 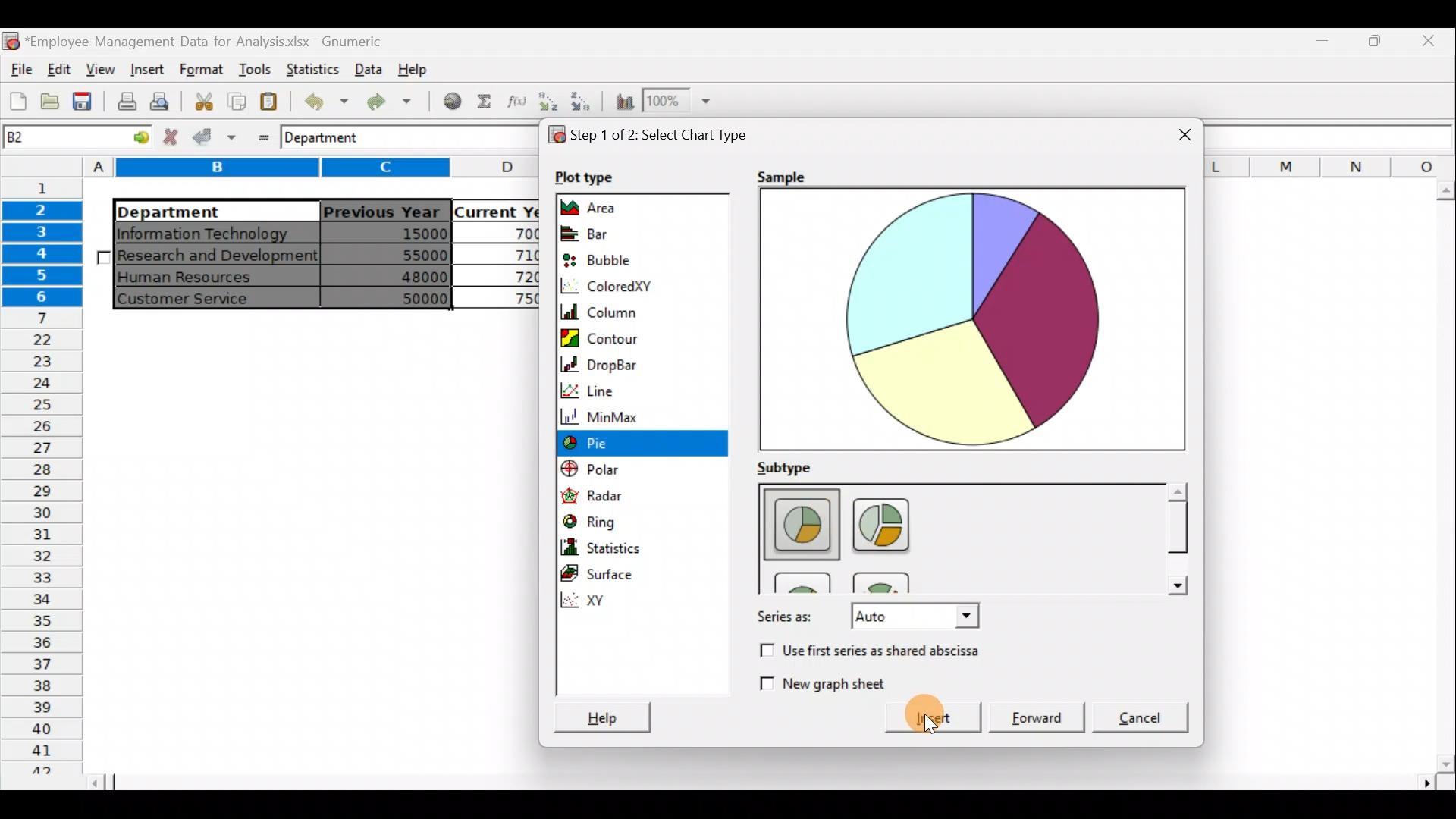 What do you see at coordinates (683, 102) in the screenshot?
I see `Zoom` at bounding box center [683, 102].